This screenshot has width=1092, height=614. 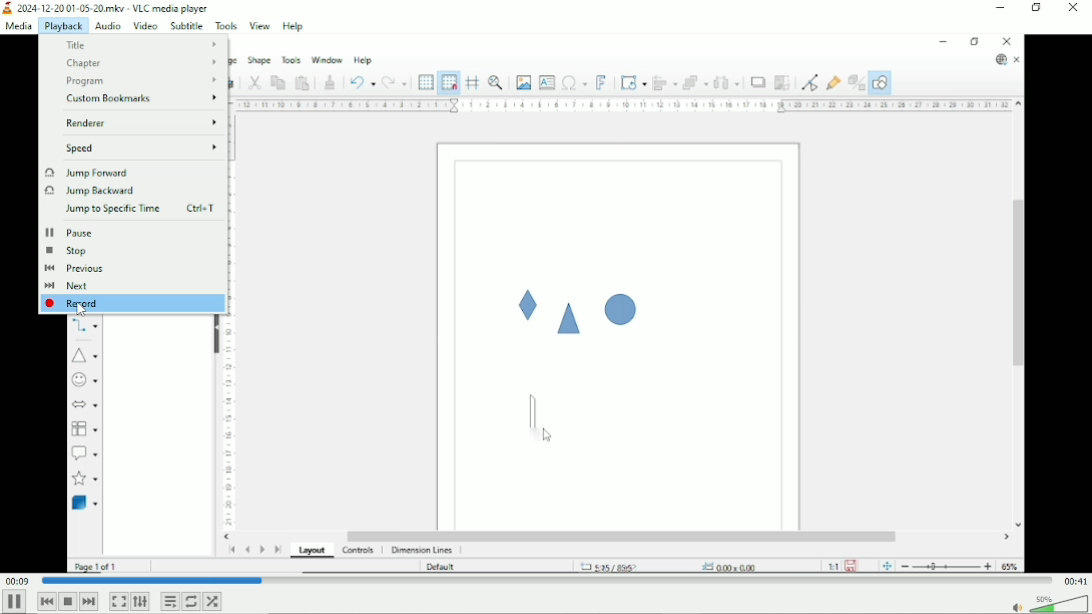 I want to click on Audio, so click(x=107, y=26).